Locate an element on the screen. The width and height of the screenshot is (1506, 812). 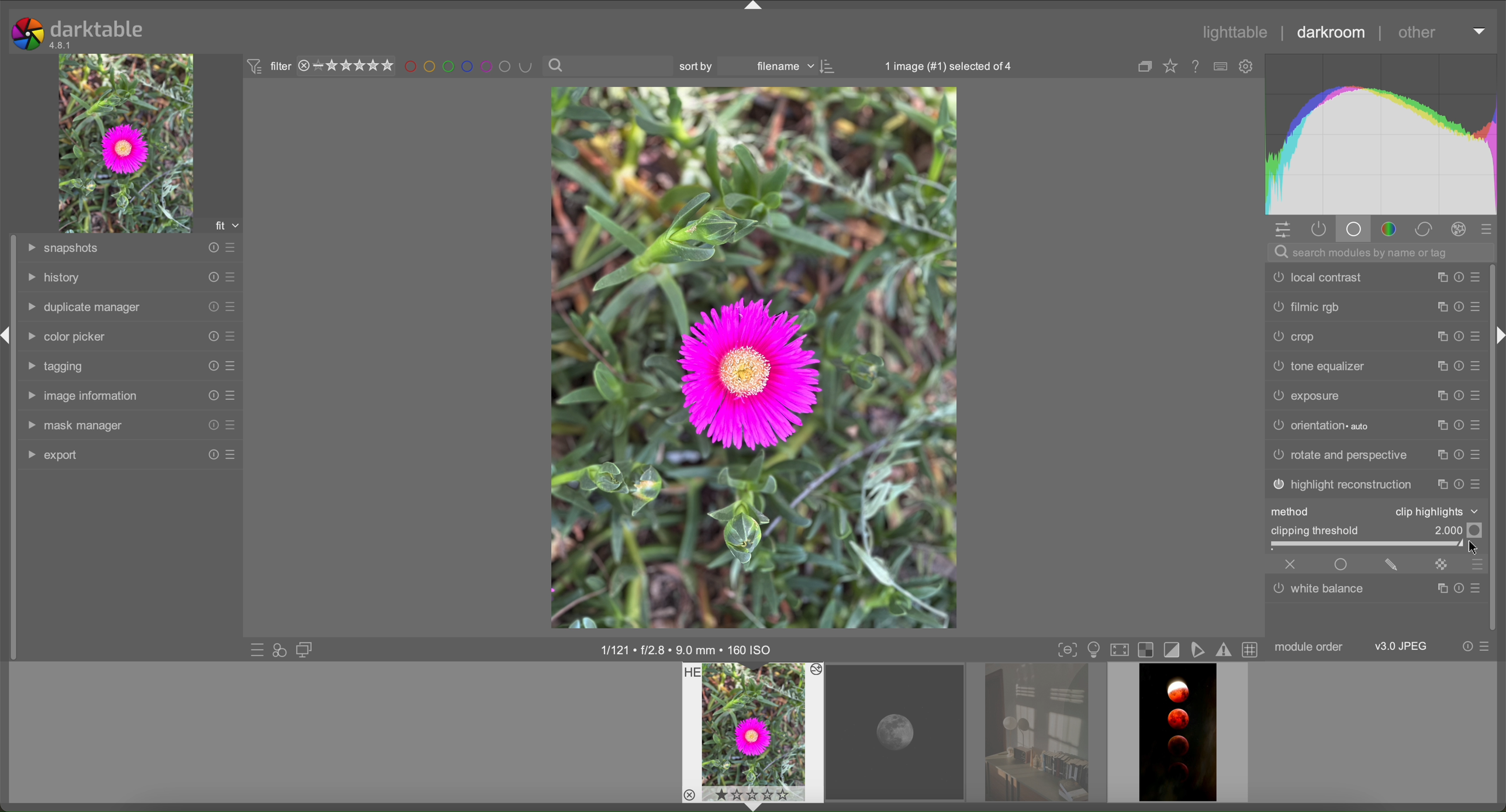
presets is located at coordinates (1491, 228).